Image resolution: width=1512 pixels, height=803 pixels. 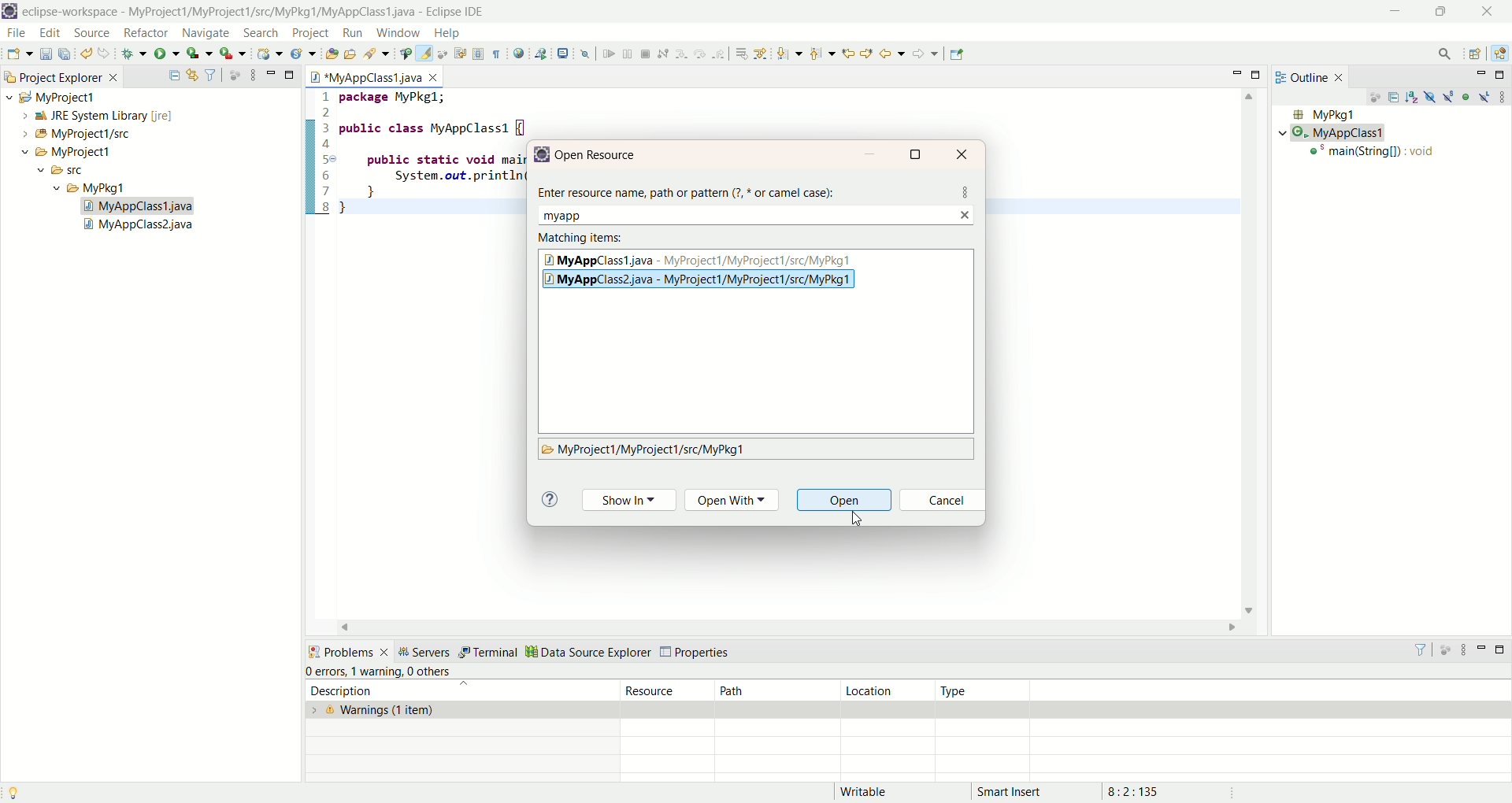 I want to click on open web browser, so click(x=518, y=54).